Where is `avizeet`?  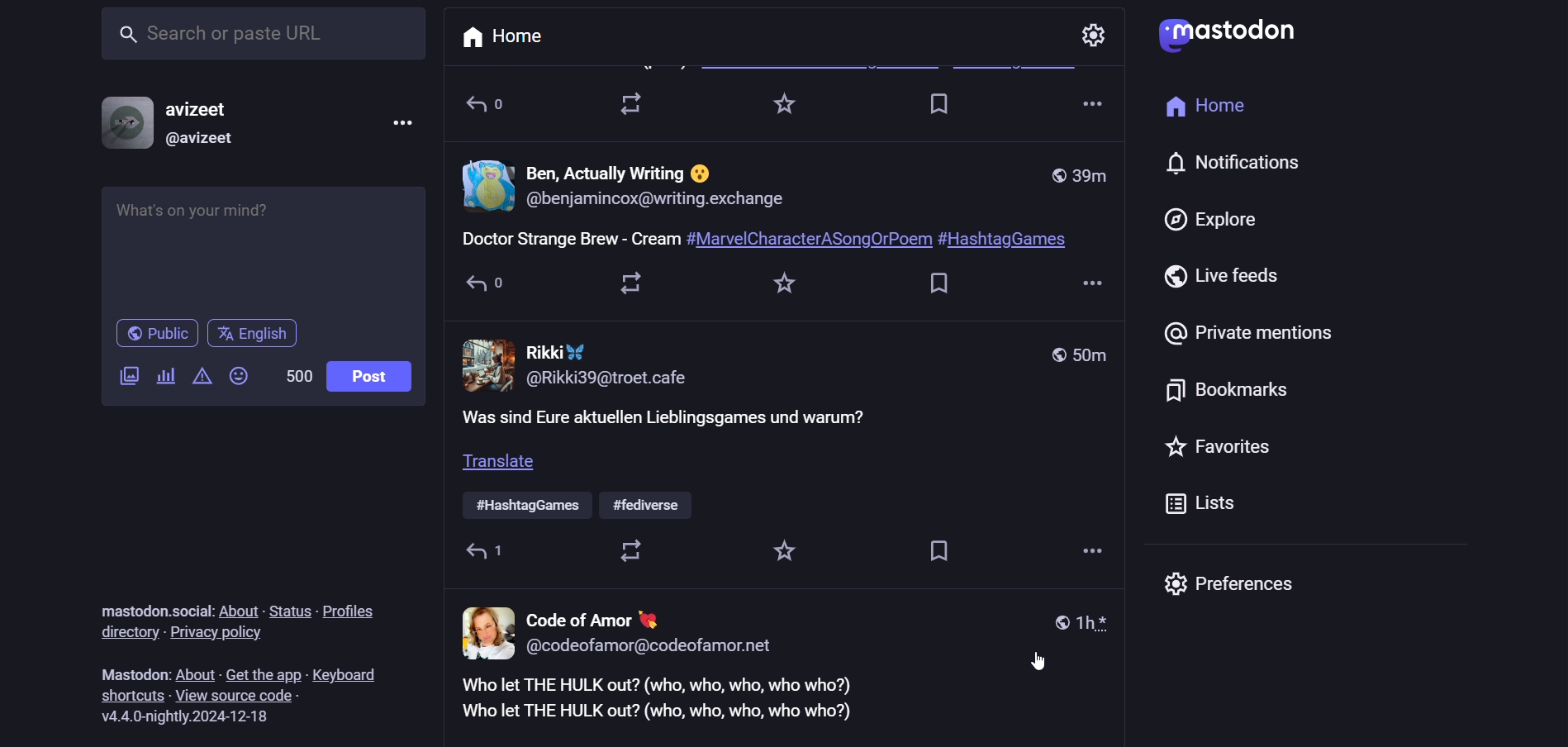
avizeet is located at coordinates (202, 111).